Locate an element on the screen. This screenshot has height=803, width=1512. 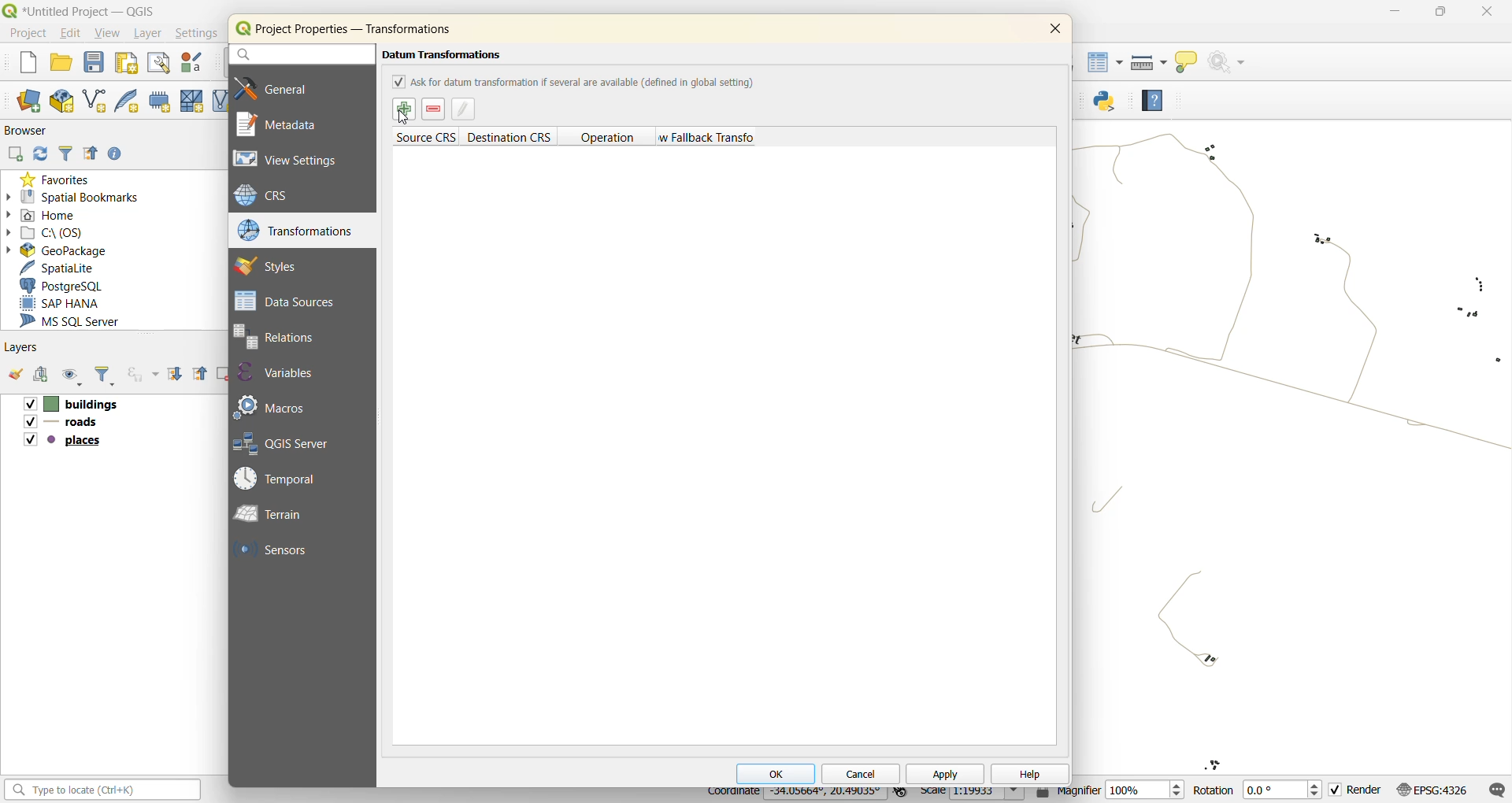
collapse all is located at coordinates (200, 375).